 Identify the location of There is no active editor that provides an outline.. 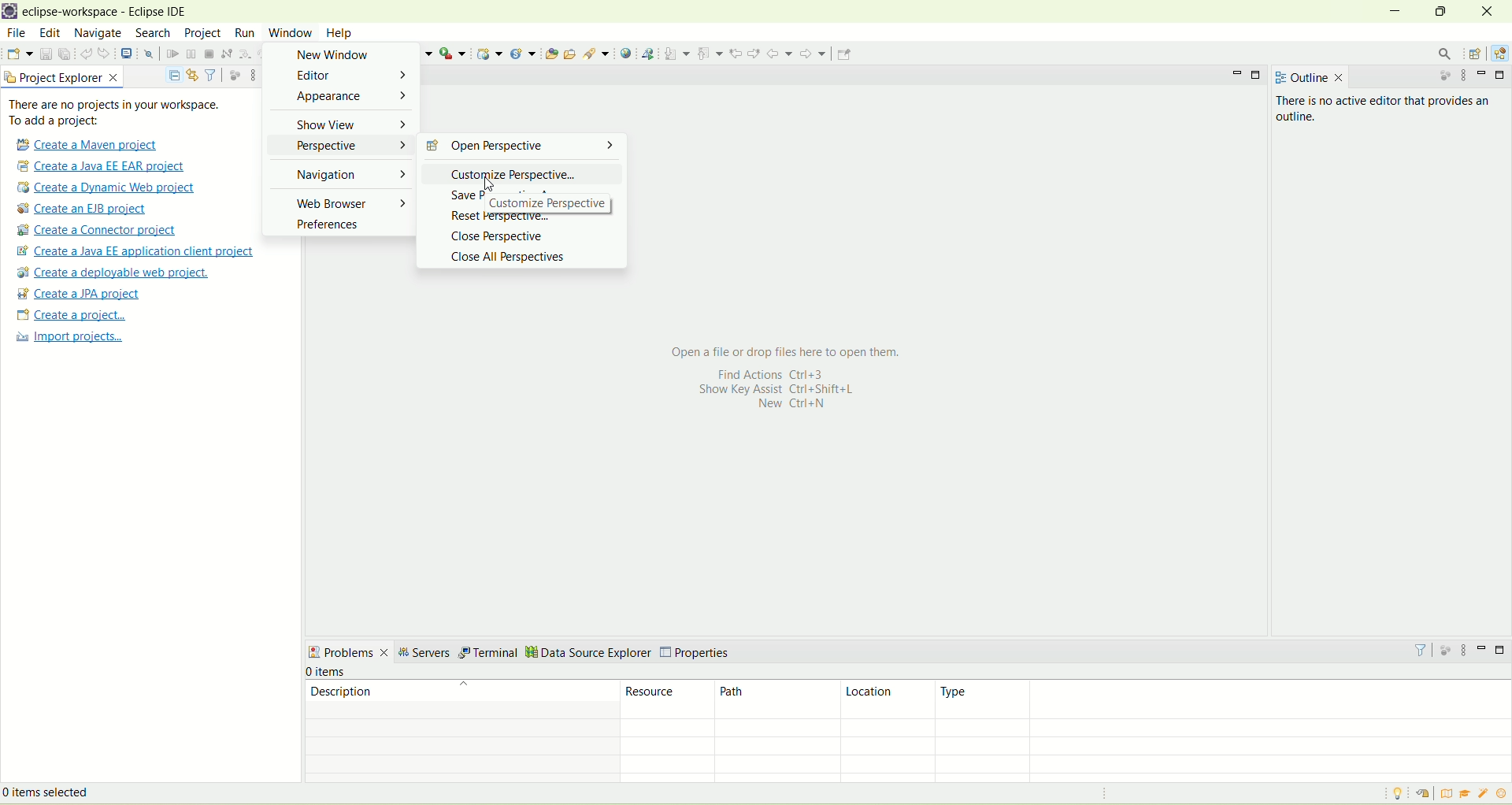
(1358, 121).